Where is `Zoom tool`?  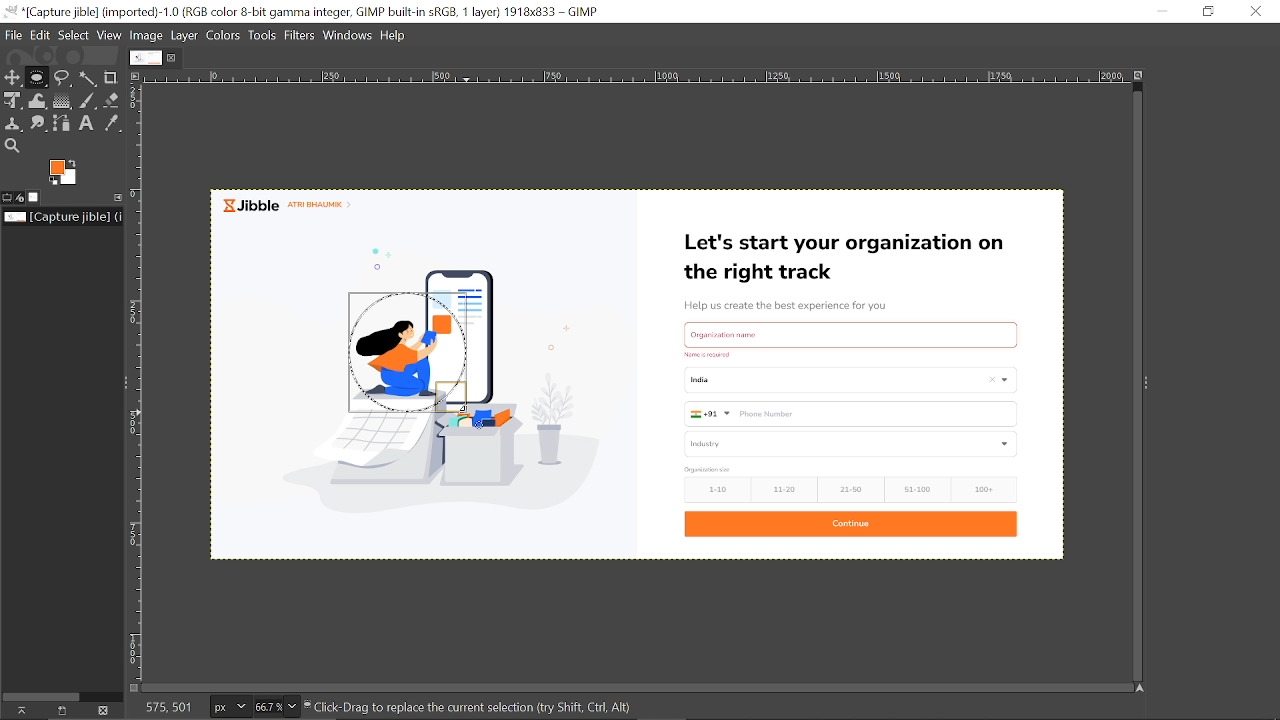 Zoom tool is located at coordinates (11, 145).